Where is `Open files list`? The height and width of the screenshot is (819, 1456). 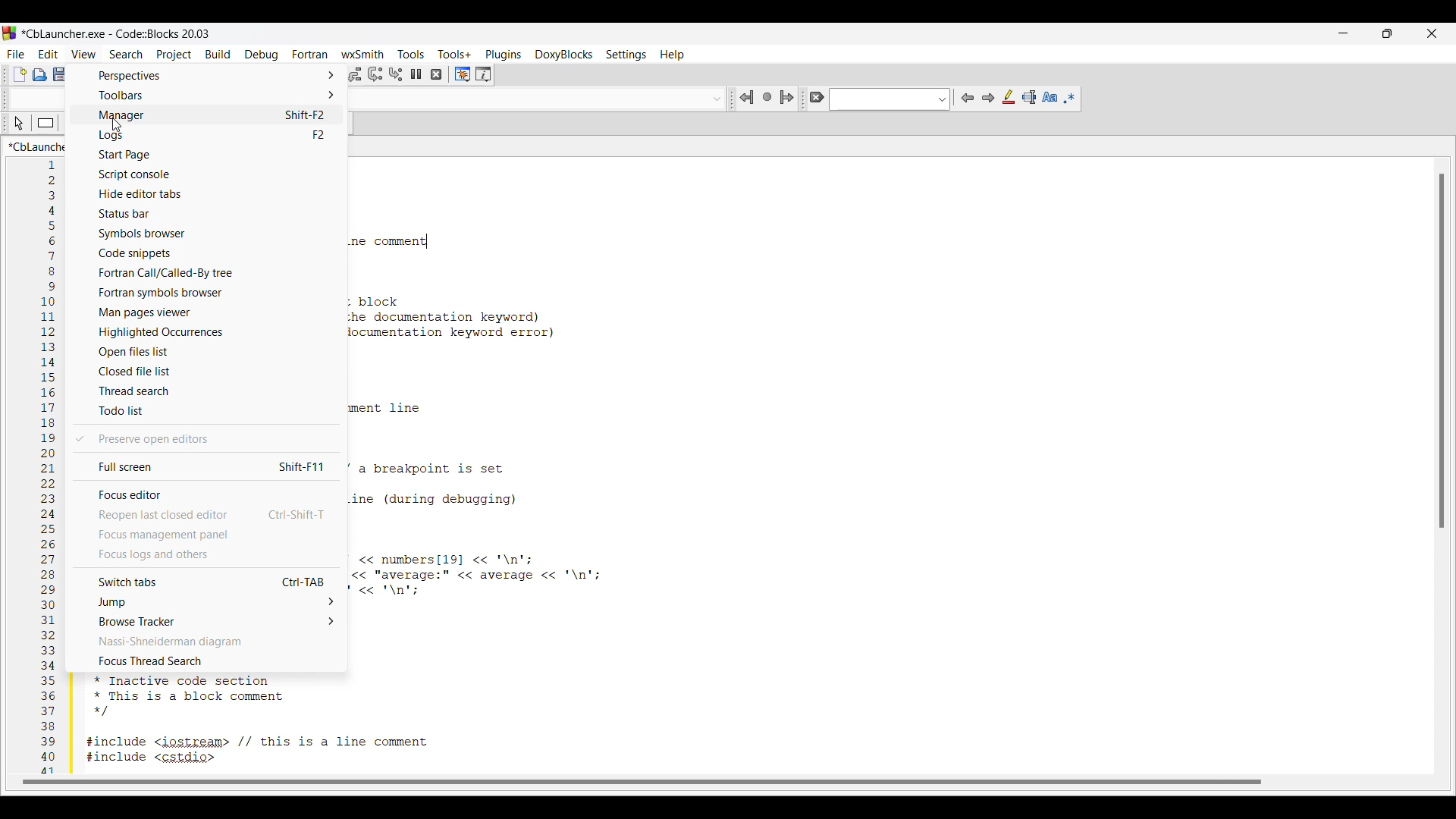 Open files list is located at coordinates (209, 352).